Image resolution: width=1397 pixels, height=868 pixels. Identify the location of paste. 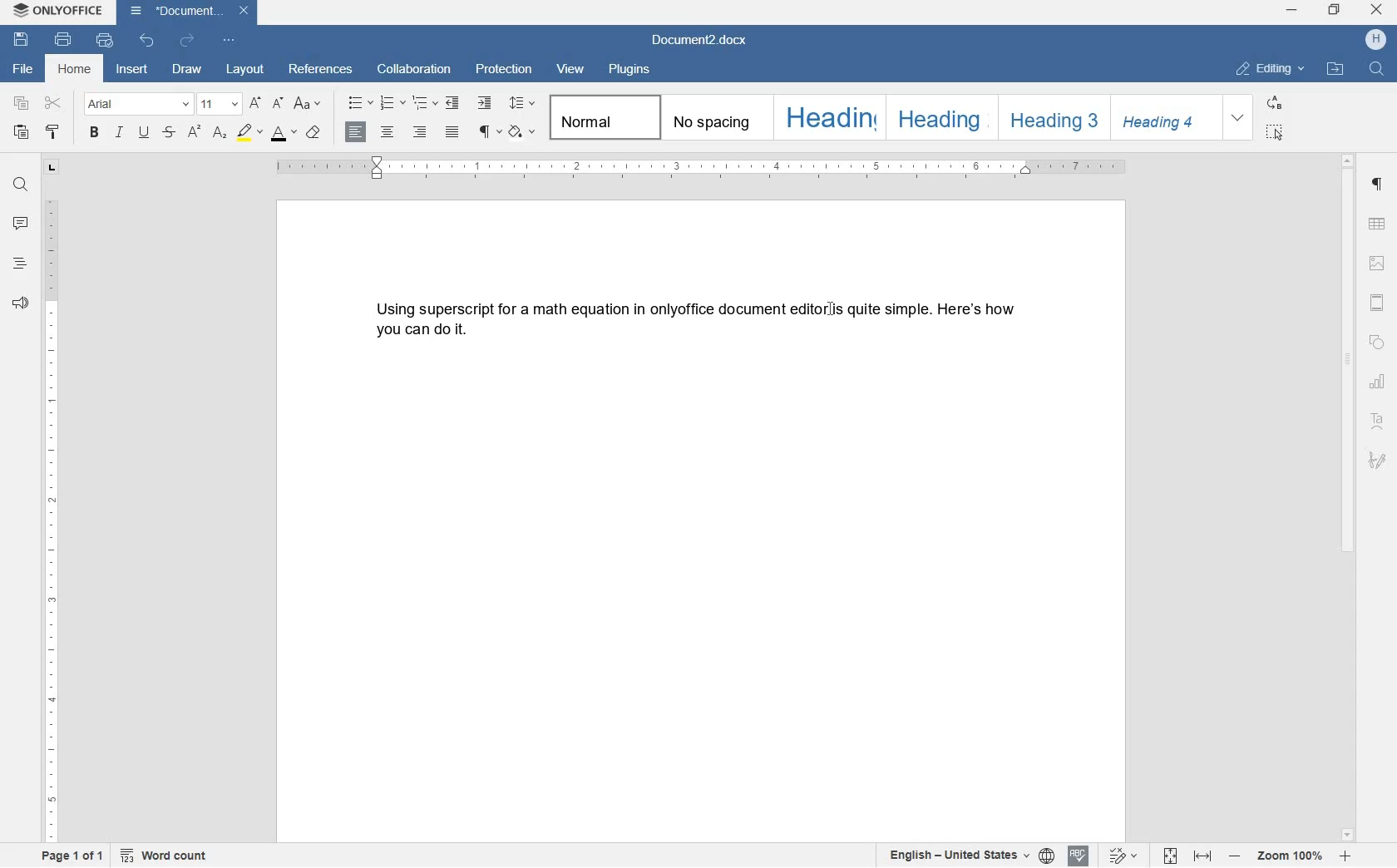
(21, 133).